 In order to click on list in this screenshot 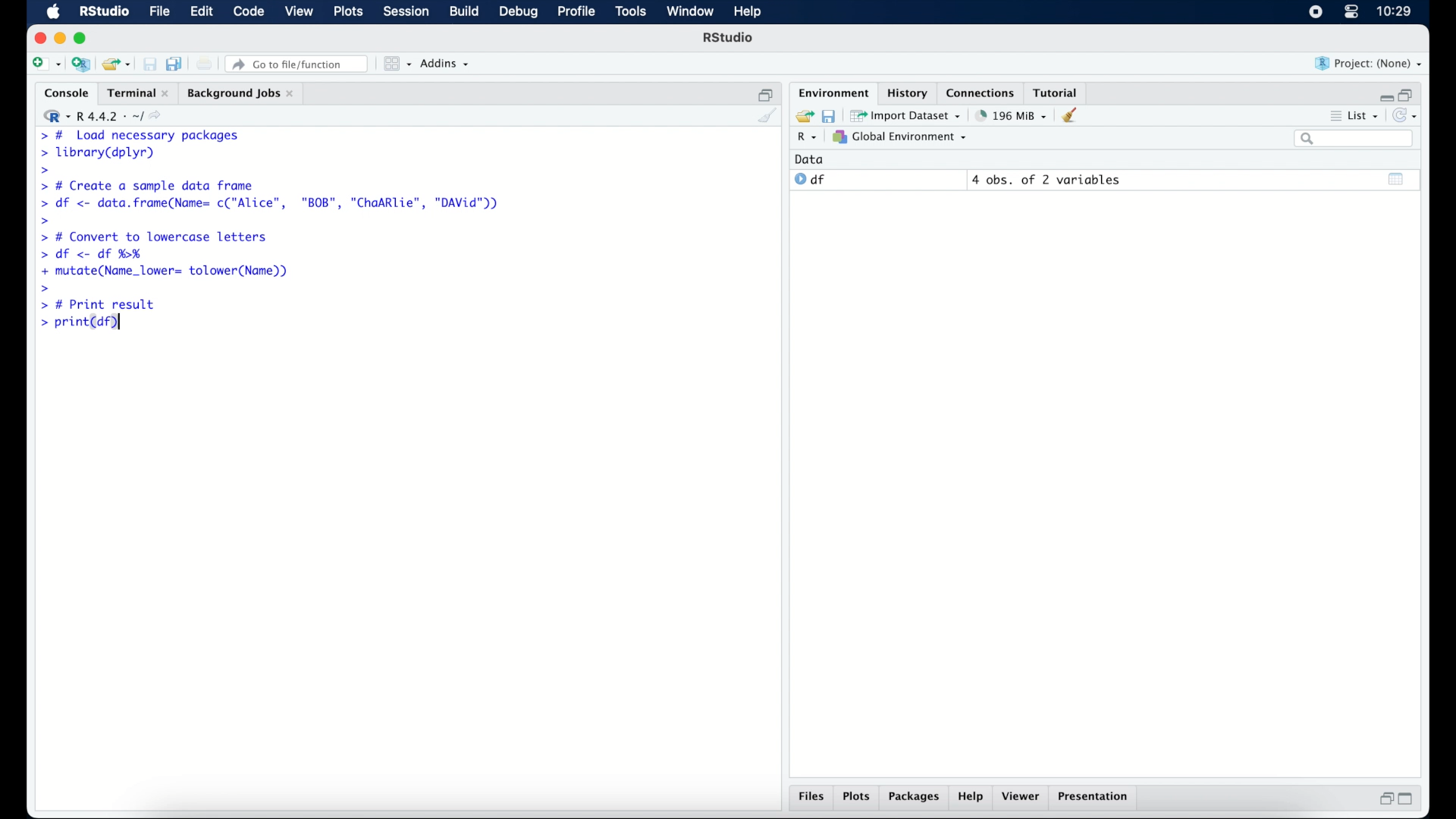, I will do `click(1353, 118)`.